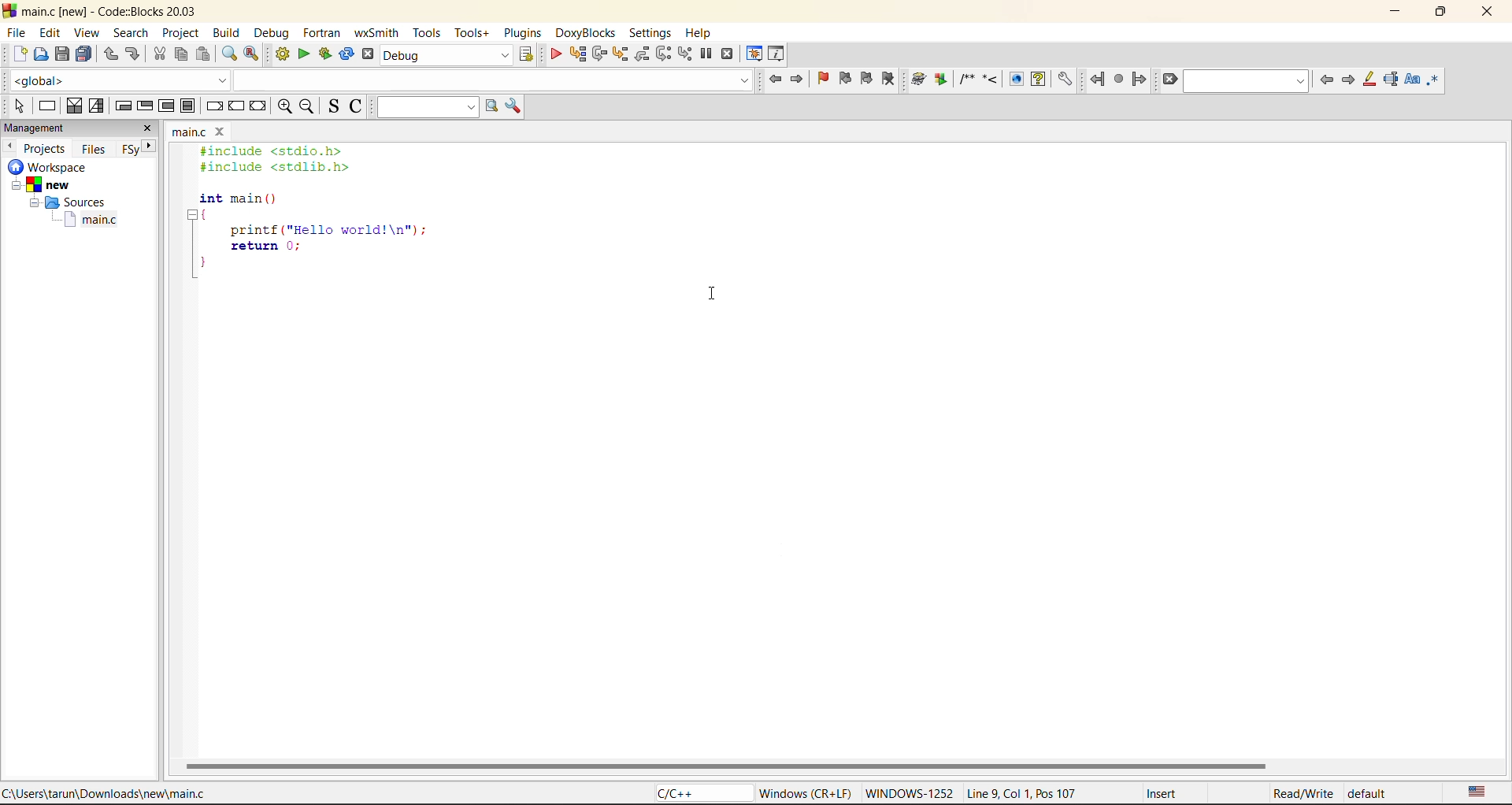 This screenshot has width=1512, height=805. What do you see at coordinates (714, 295) in the screenshot?
I see `cursor` at bounding box center [714, 295].